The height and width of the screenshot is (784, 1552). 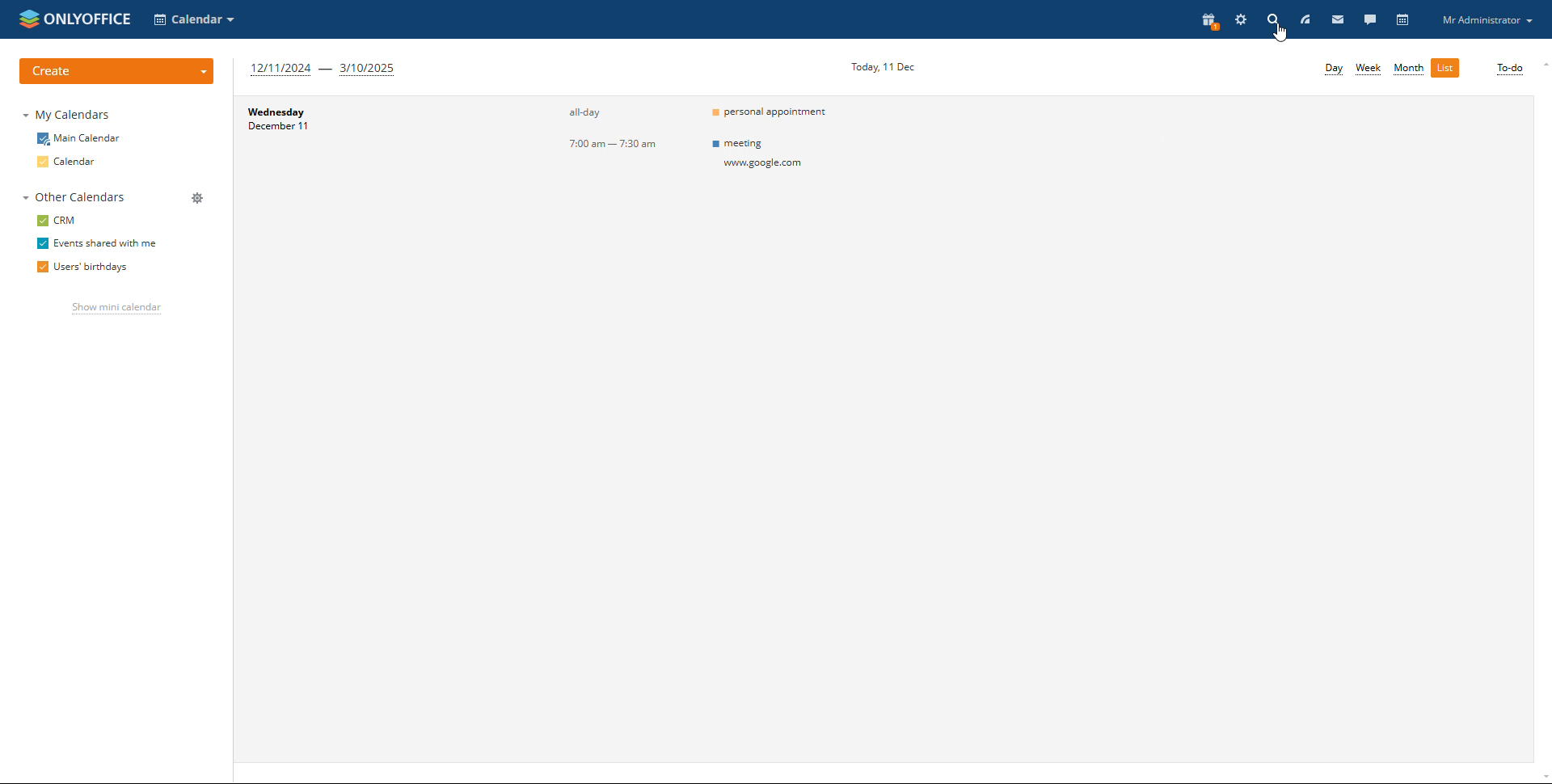 I want to click on crm, so click(x=55, y=220).